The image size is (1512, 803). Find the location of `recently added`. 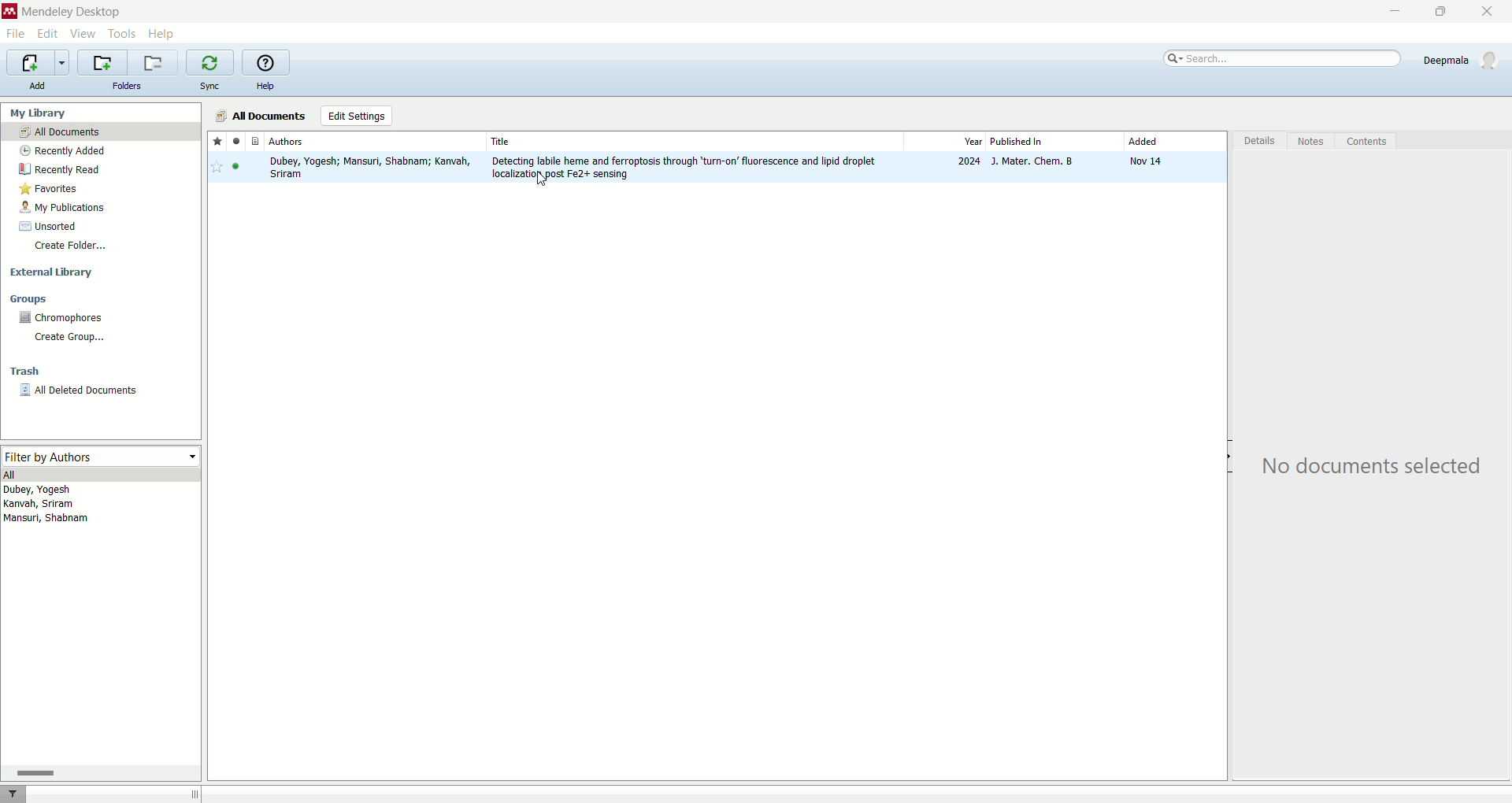

recently added is located at coordinates (64, 150).